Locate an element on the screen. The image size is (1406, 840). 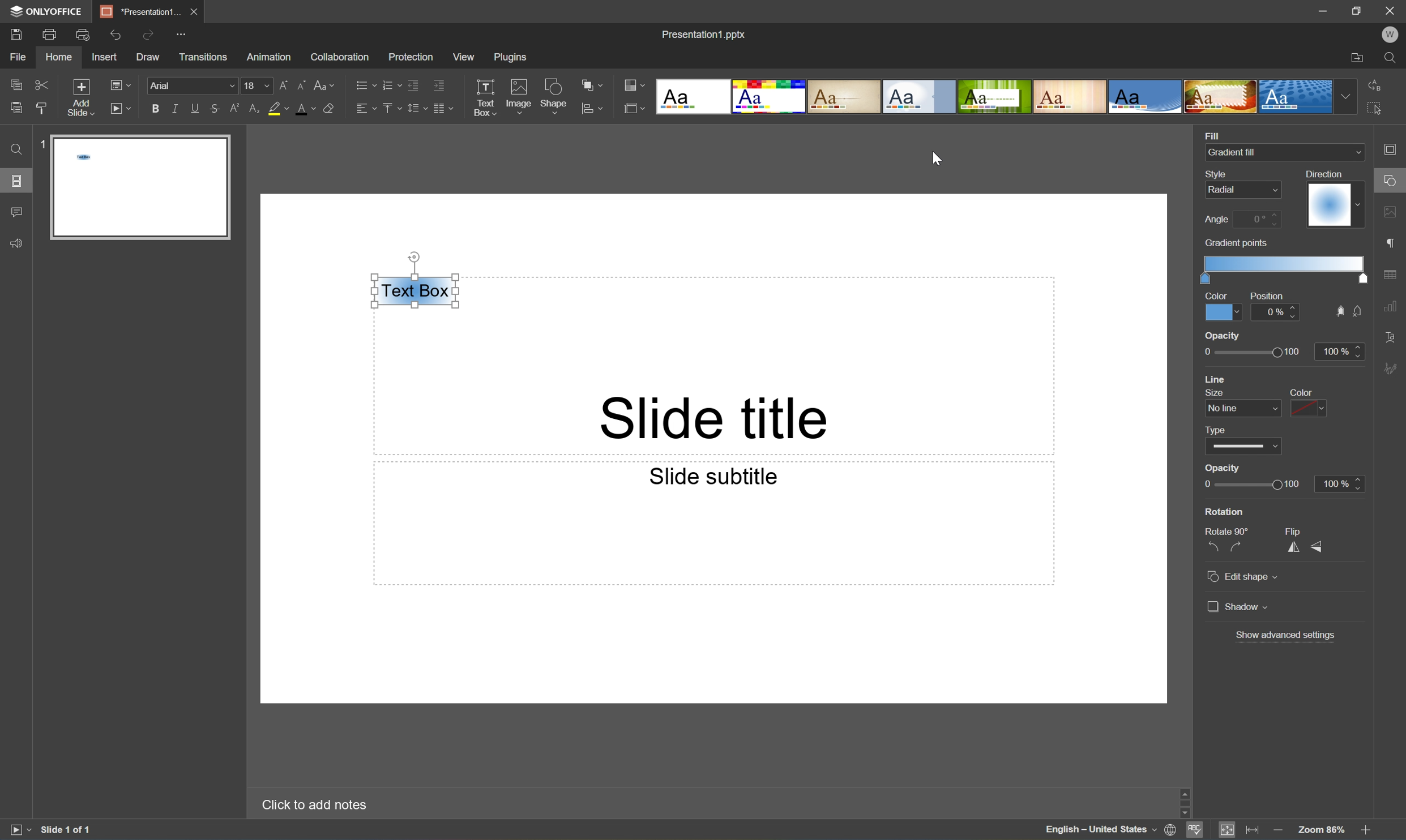
Position is located at coordinates (1267, 295).